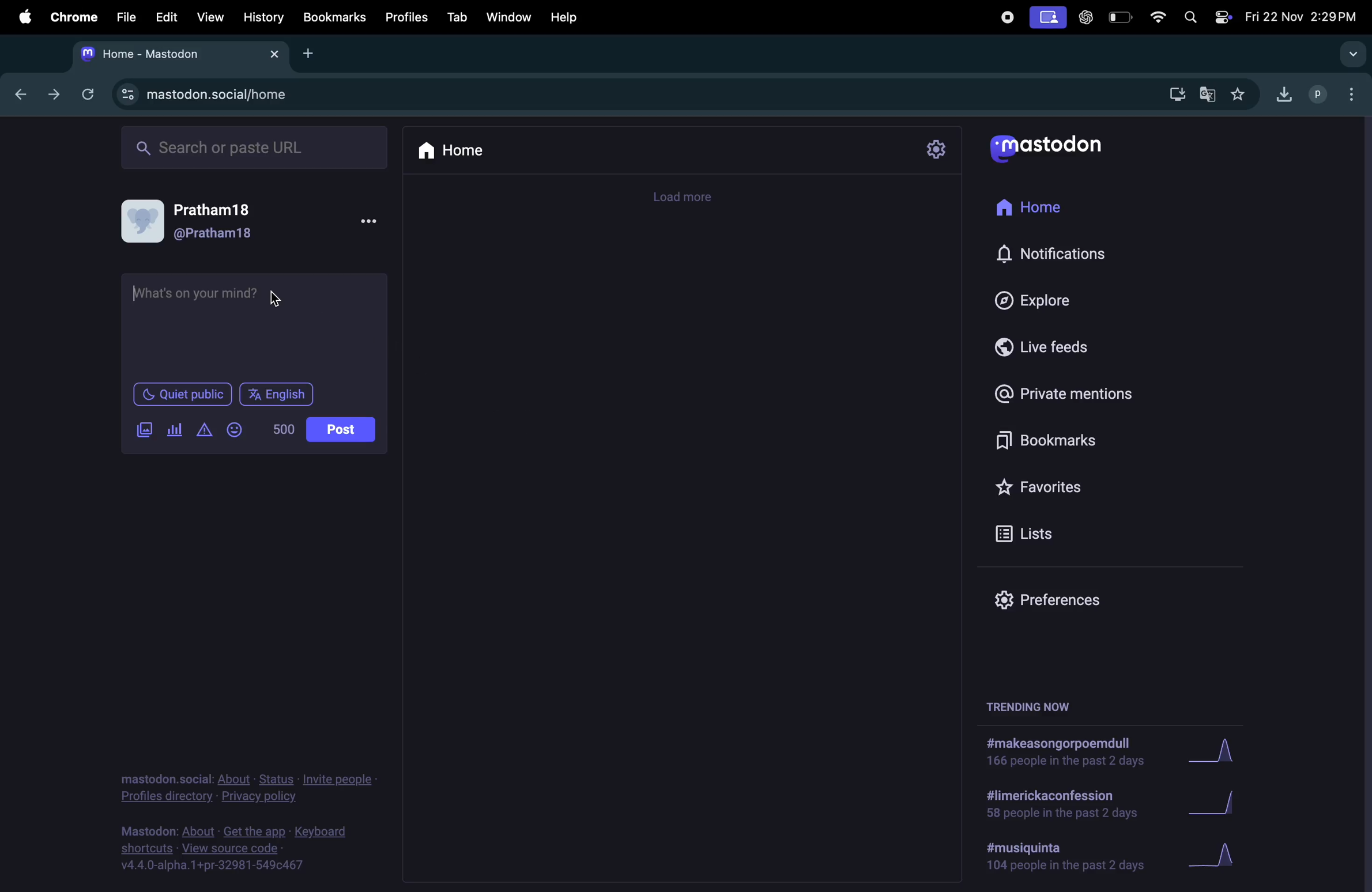 Image resolution: width=1372 pixels, height=892 pixels. Describe the element at coordinates (88, 95) in the screenshot. I see `refresh` at that location.